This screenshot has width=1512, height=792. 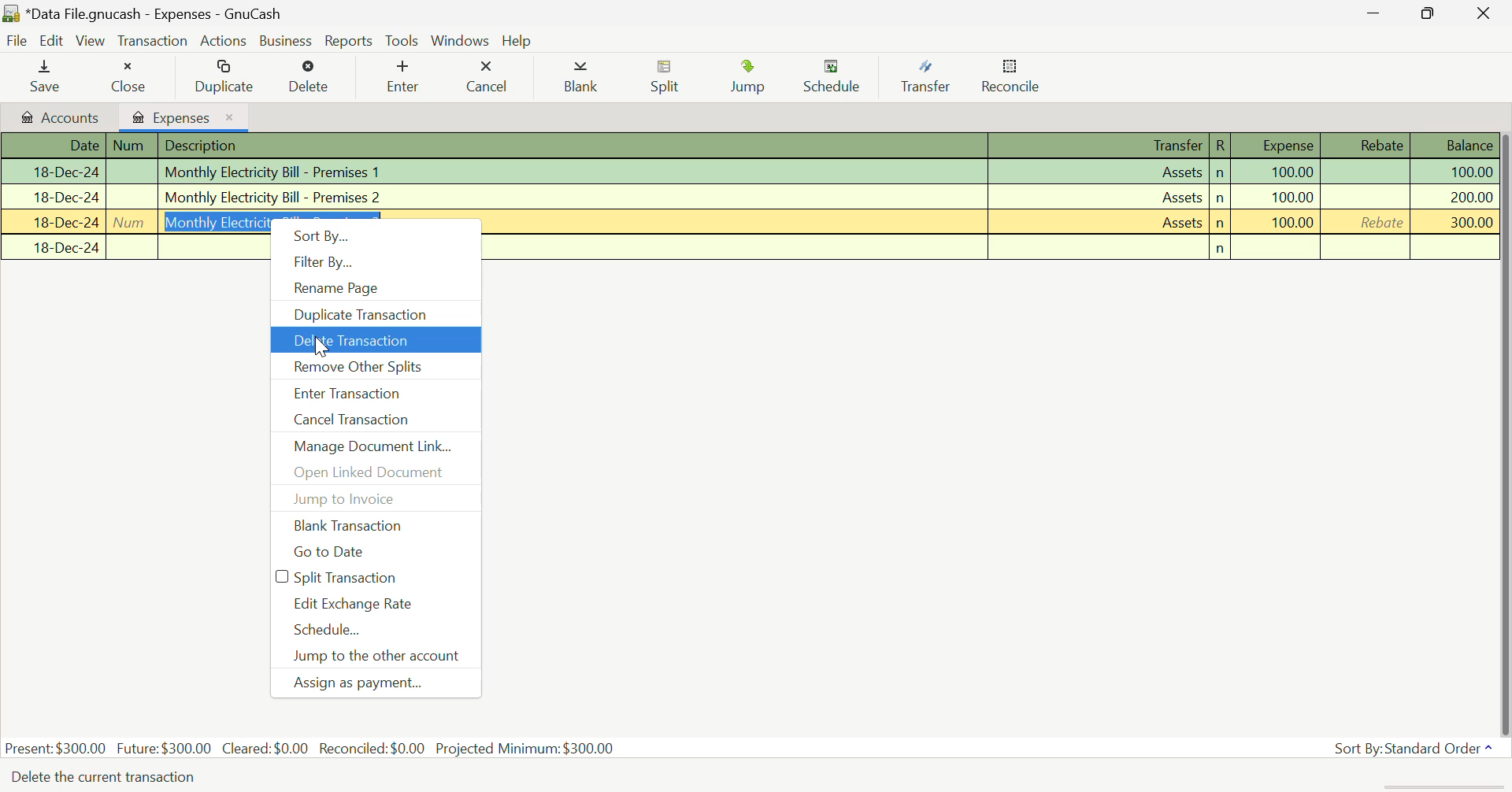 What do you see at coordinates (185, 117) in the screenshot?
I see `Expenses` at bounding box center [185, 117].